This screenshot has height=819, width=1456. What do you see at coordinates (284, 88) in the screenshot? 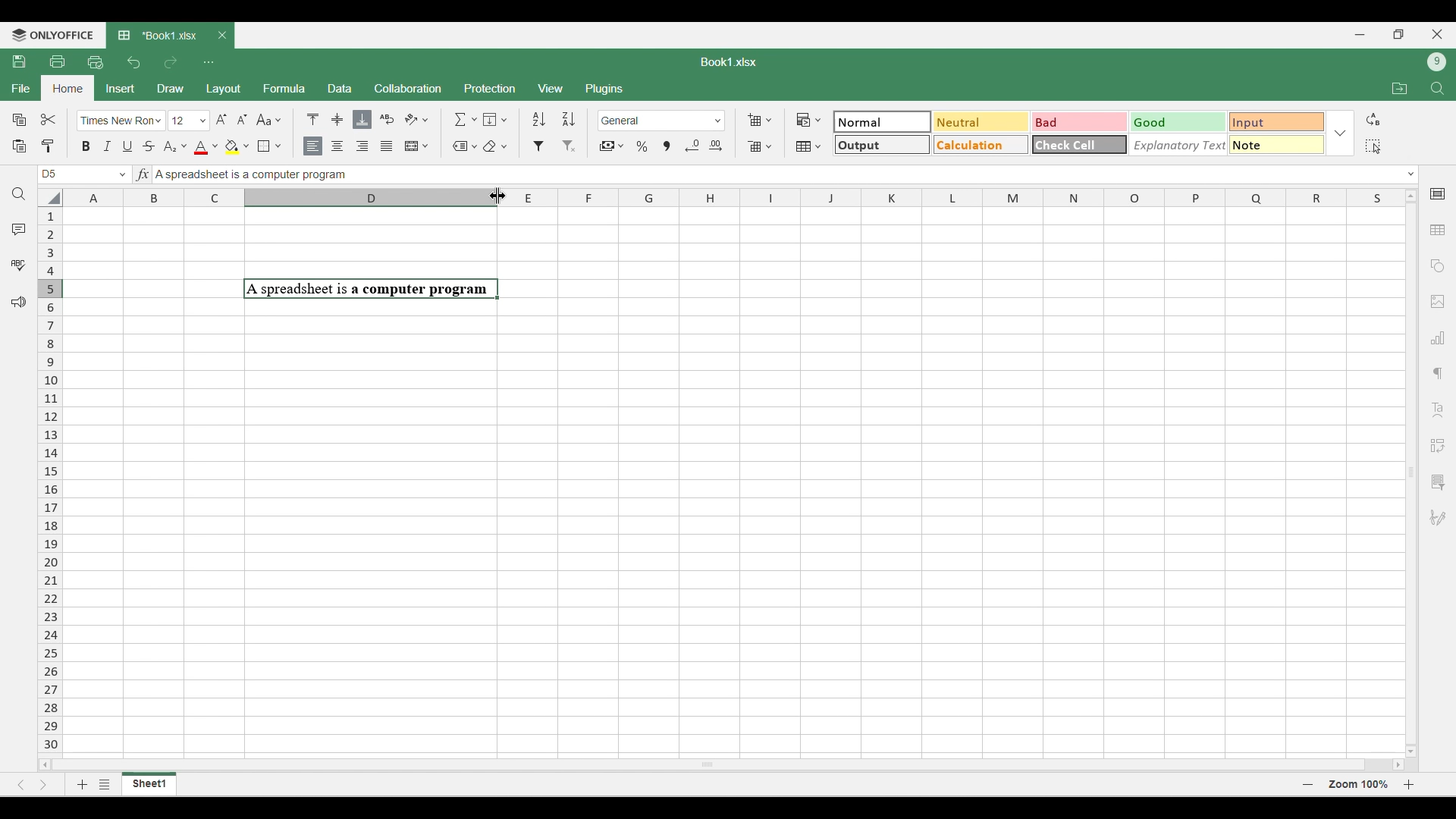
I see `Formula menu` at bounding box center [284, 88].